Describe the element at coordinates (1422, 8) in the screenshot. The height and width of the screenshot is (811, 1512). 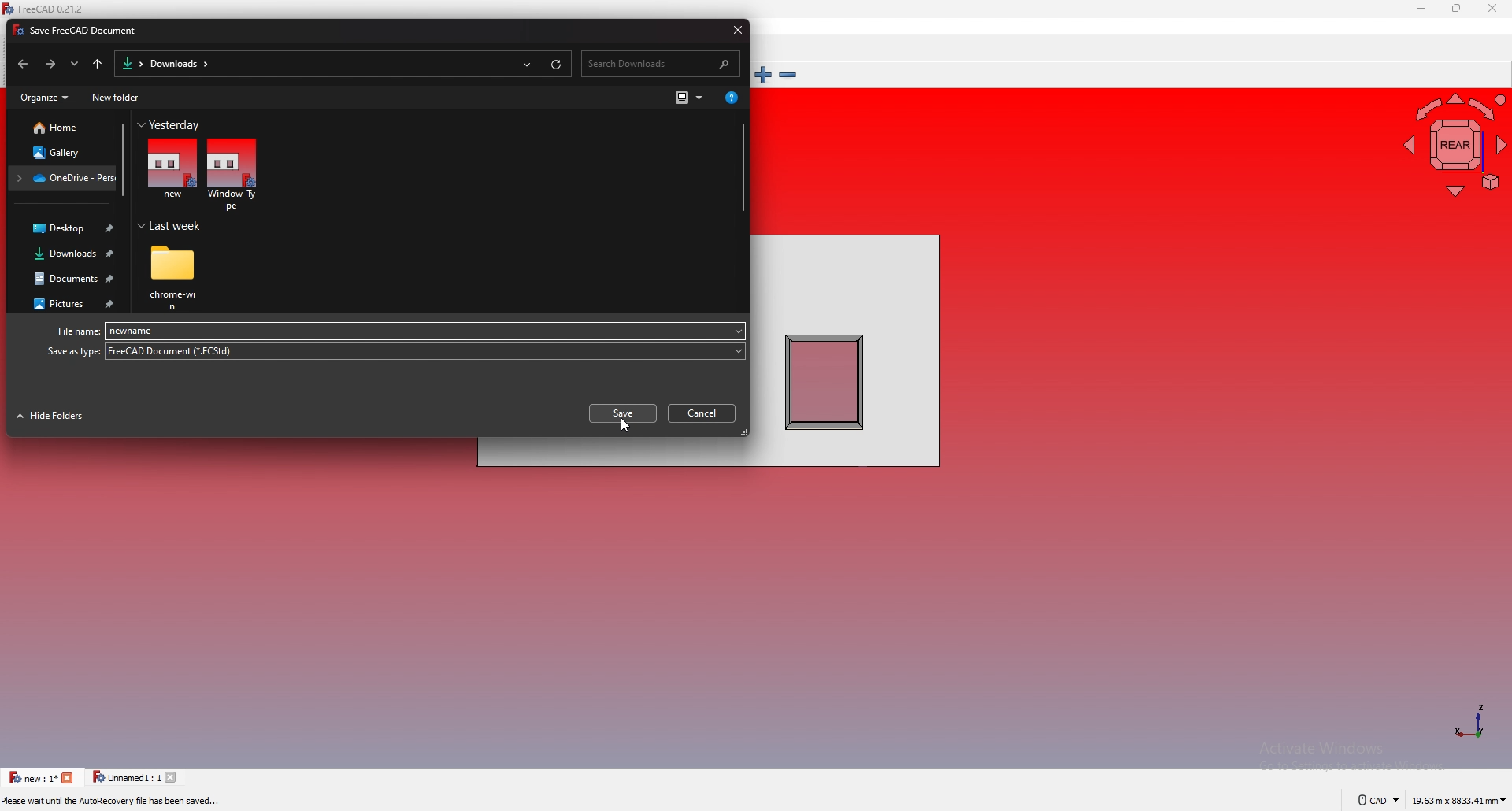
I see `minimize` at that location.